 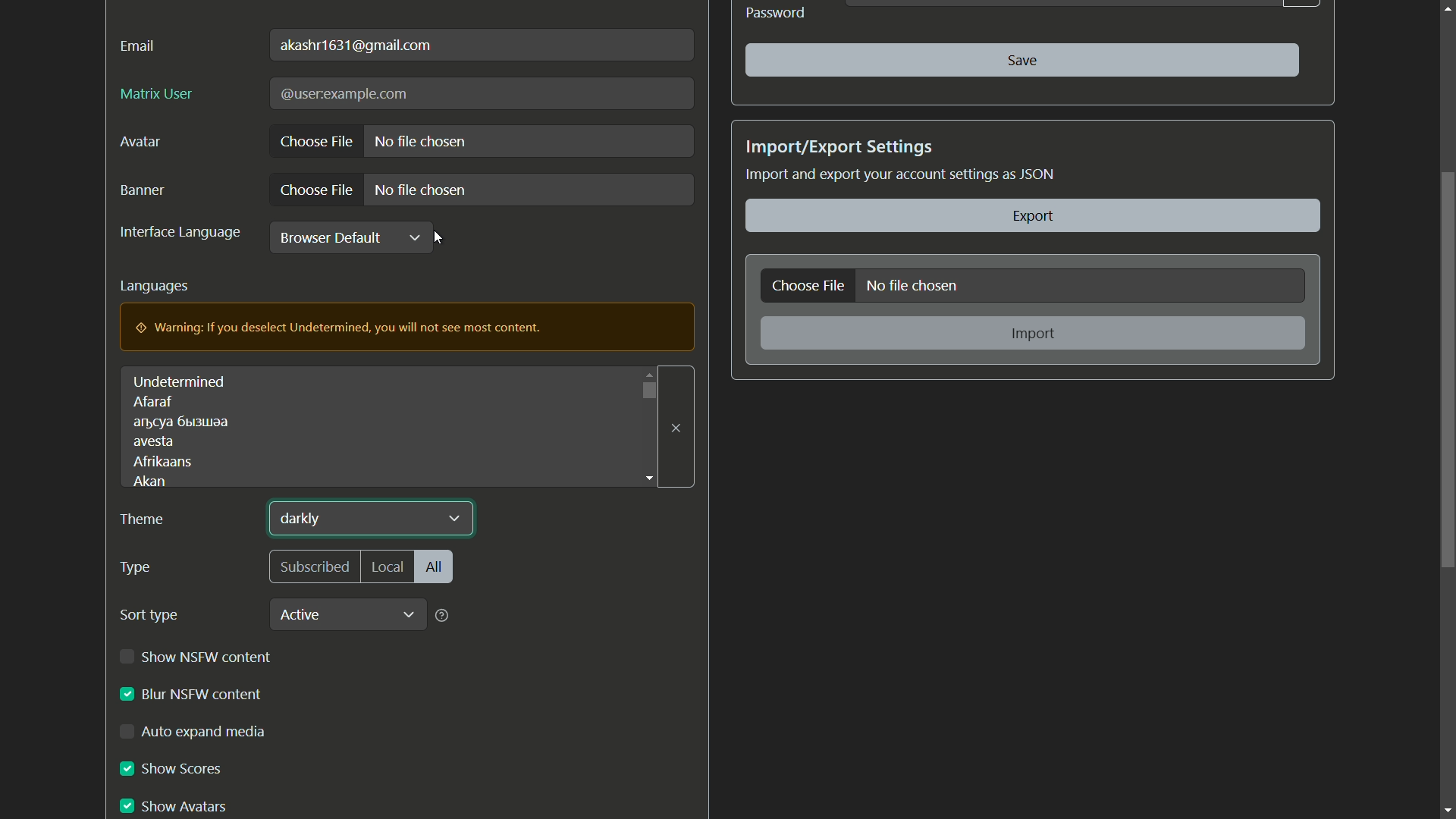 I want to click on text, so click(x=181, y=422).